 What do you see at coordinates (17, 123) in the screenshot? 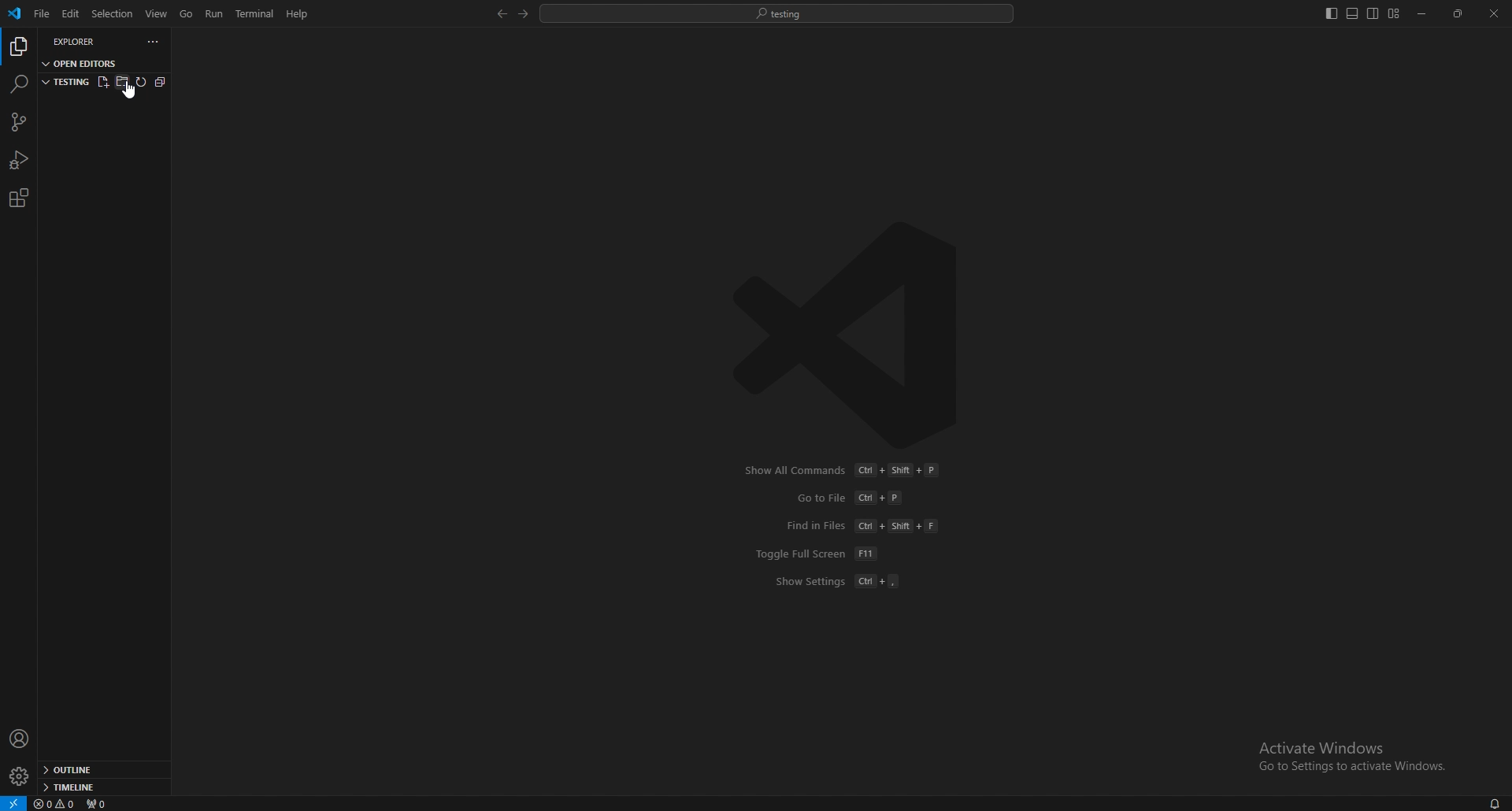
I see `source code` at bounding box center [17, 123].